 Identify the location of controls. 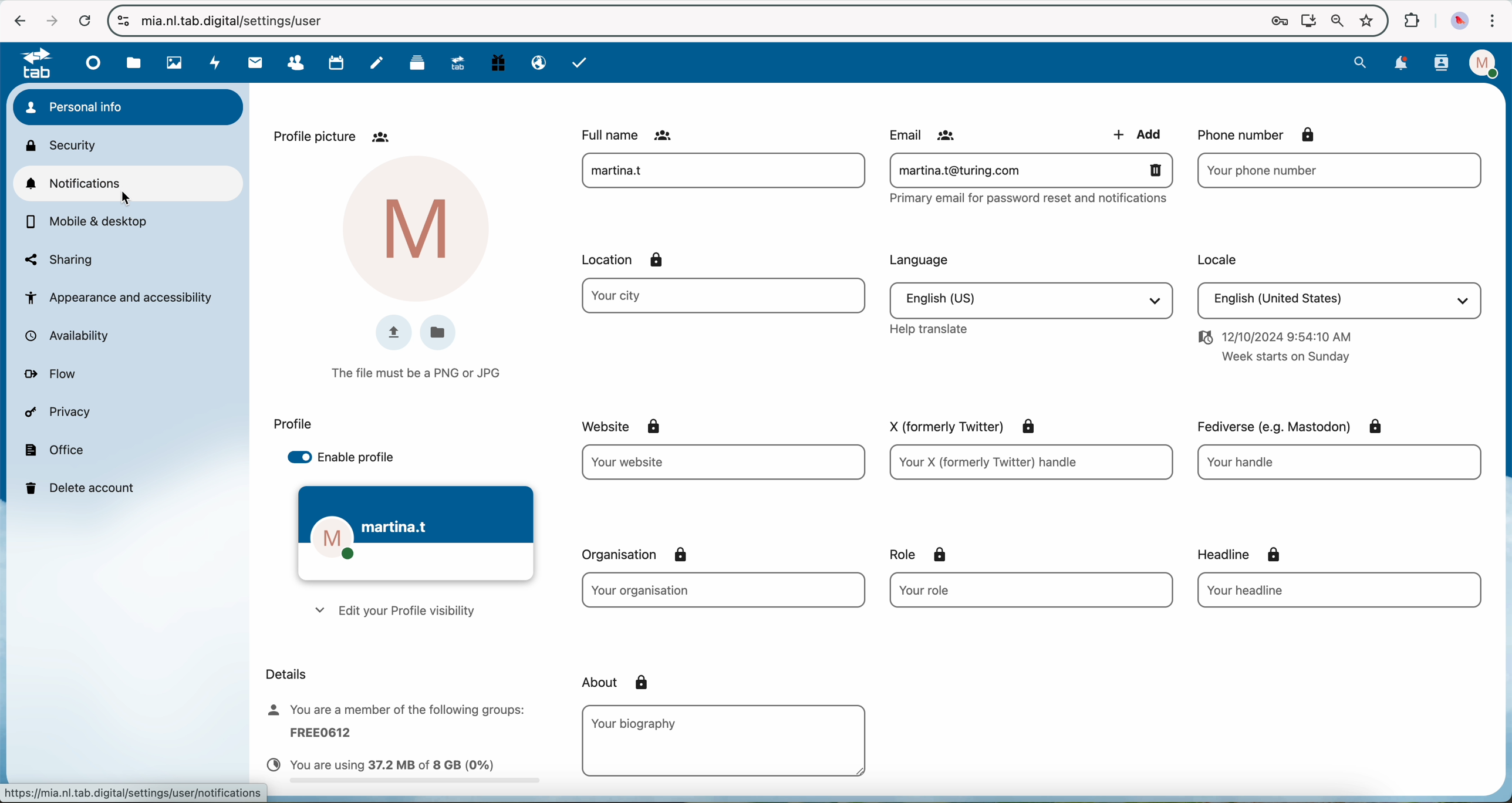
(124, 21).